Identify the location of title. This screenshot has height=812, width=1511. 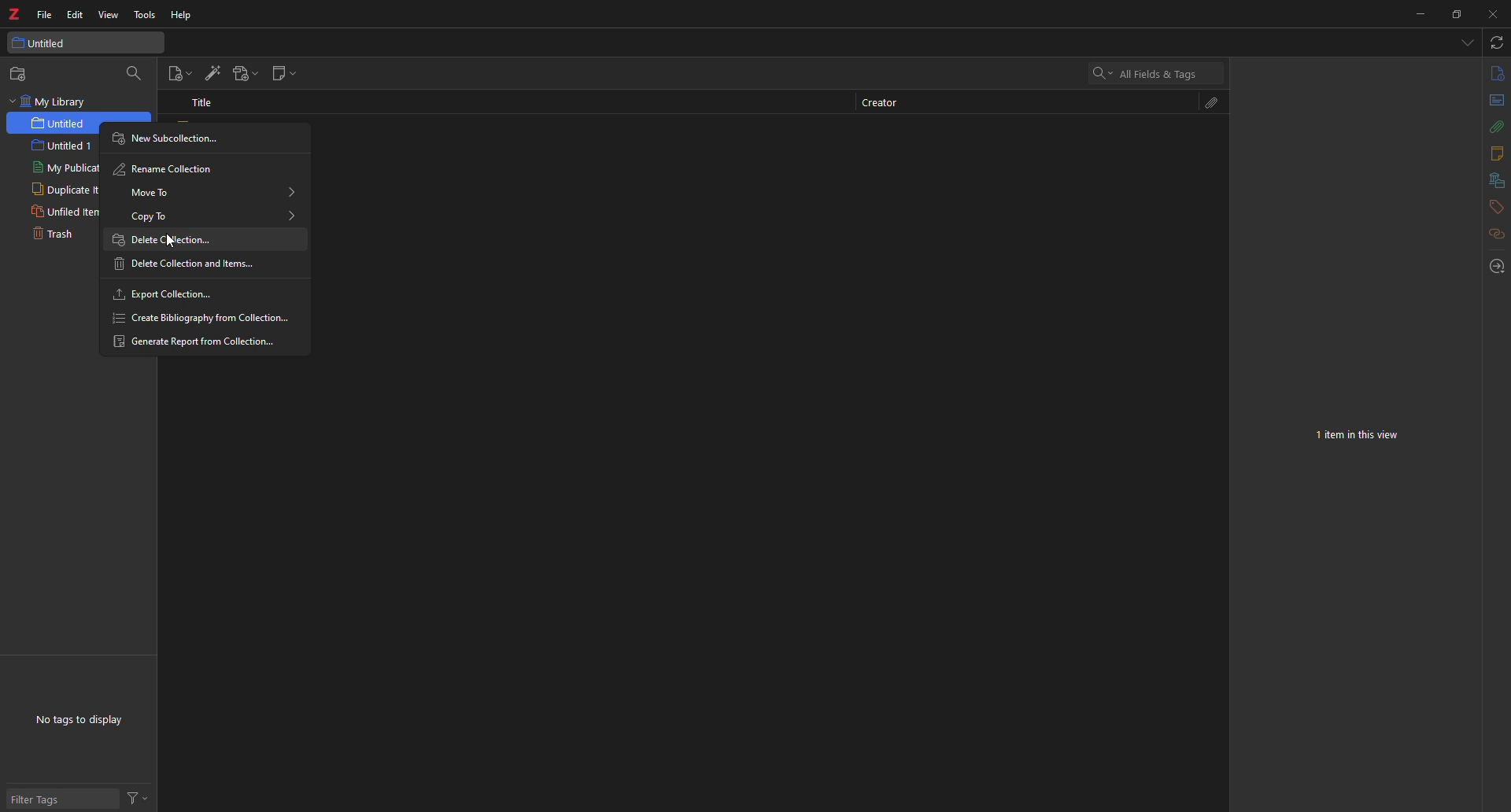
(202, 102).